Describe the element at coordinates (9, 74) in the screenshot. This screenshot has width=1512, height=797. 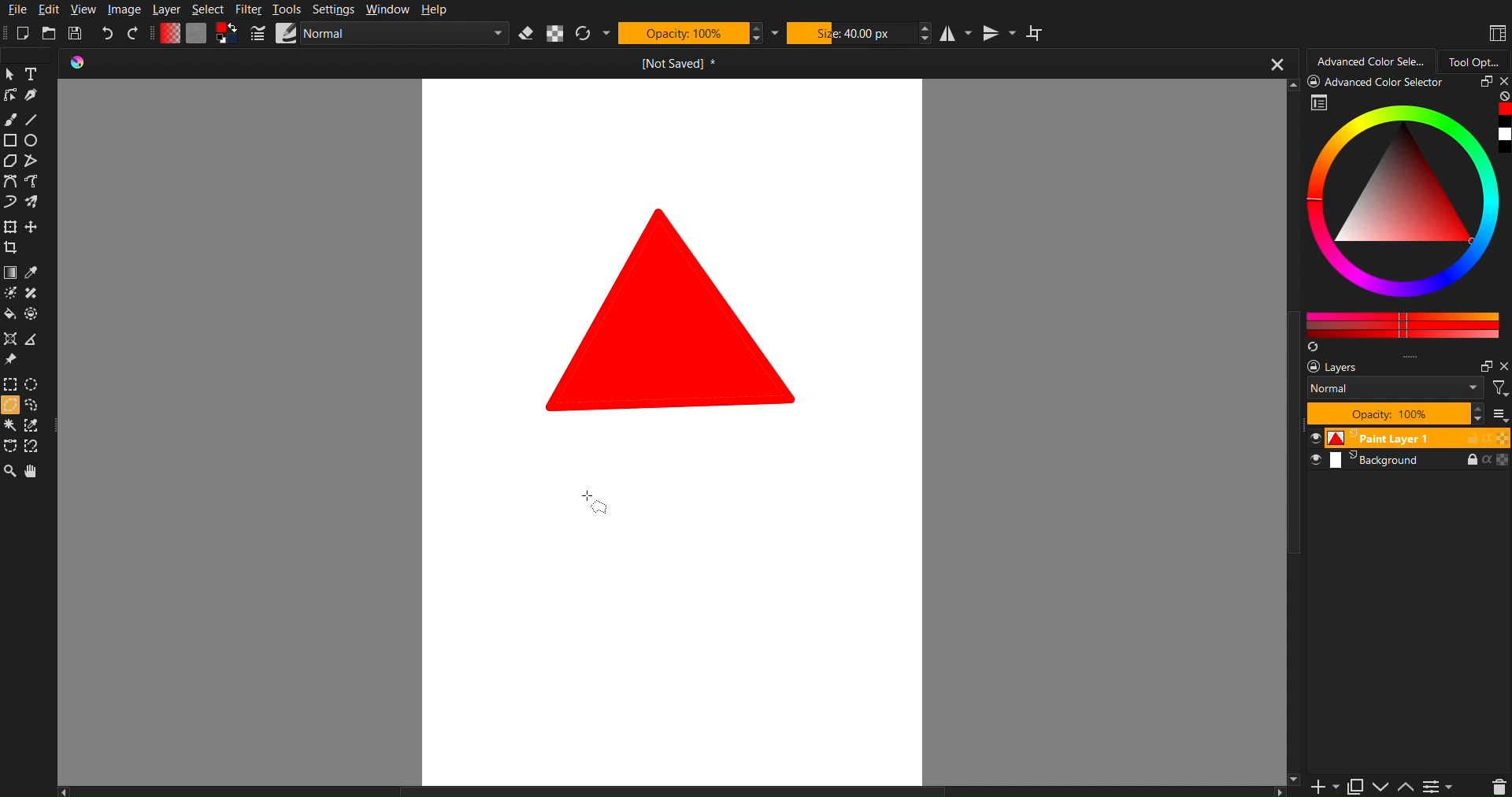
I see `Pointer` at that location.